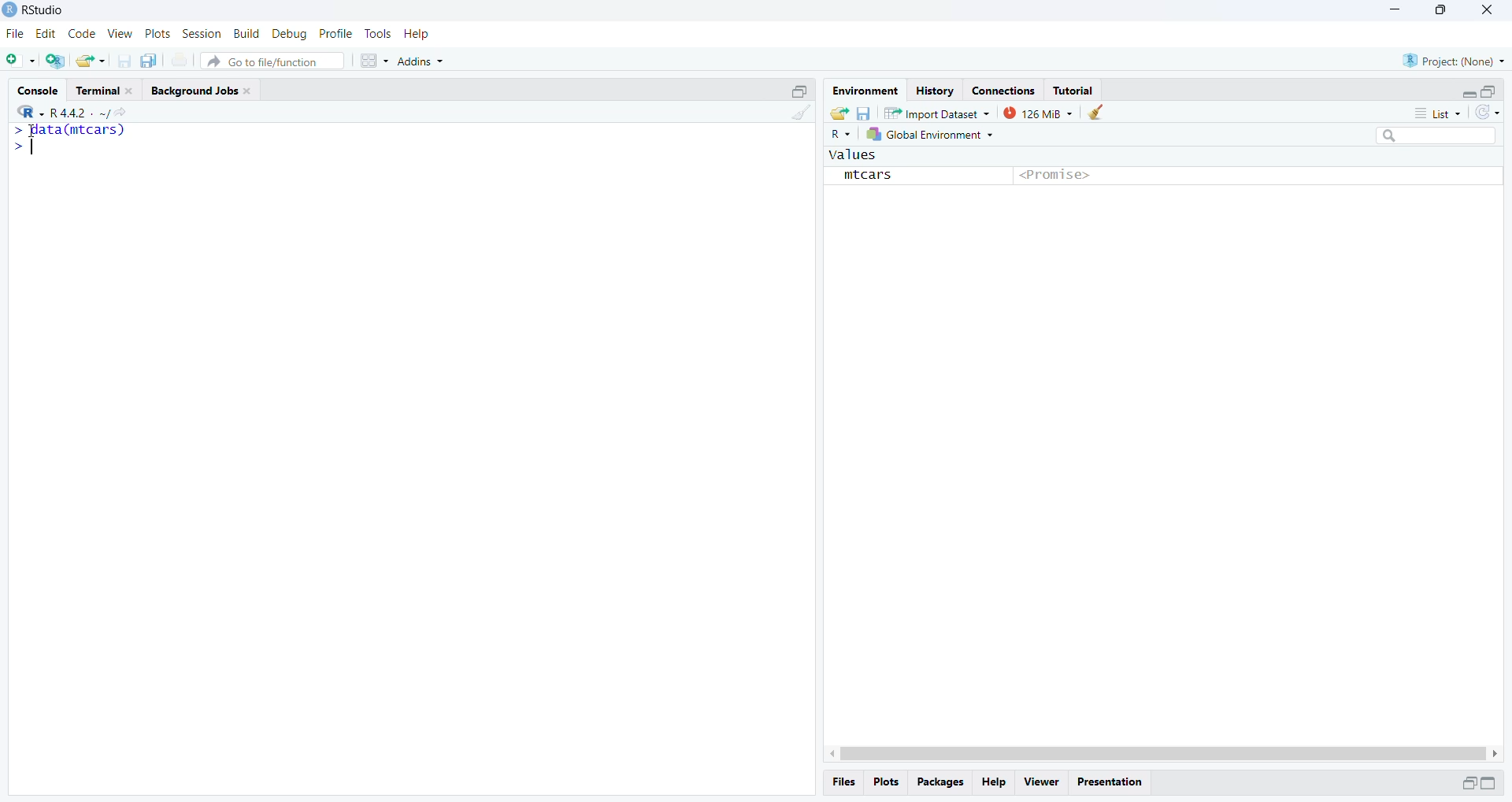 The image size is (1512, 802). Describe the element at coordinates (120, 33) in the screenshot. I see `View` at that location.